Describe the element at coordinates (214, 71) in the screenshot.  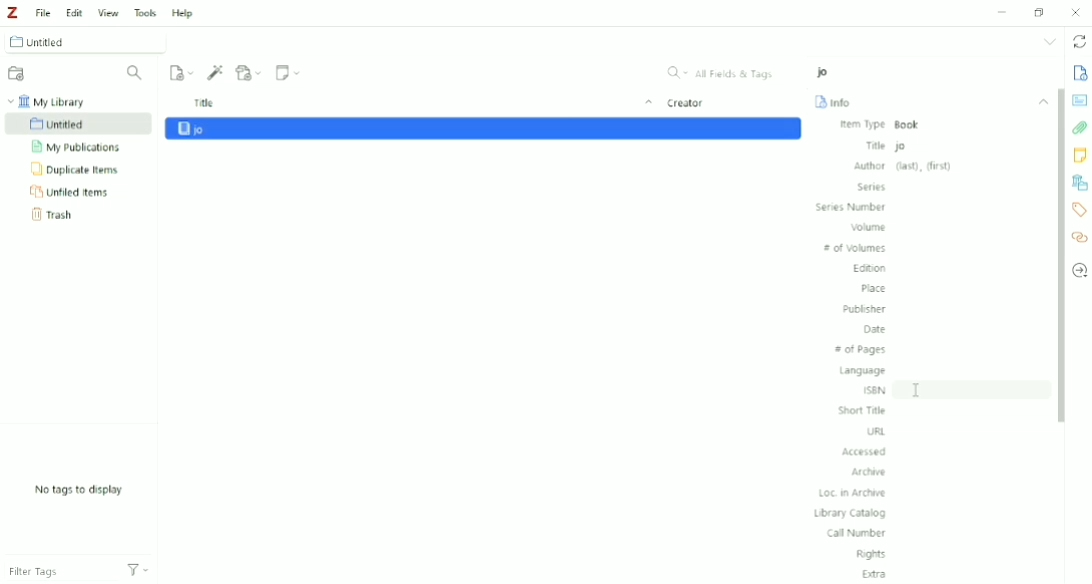
I see `Add Item (s) by Identifier` at that location.